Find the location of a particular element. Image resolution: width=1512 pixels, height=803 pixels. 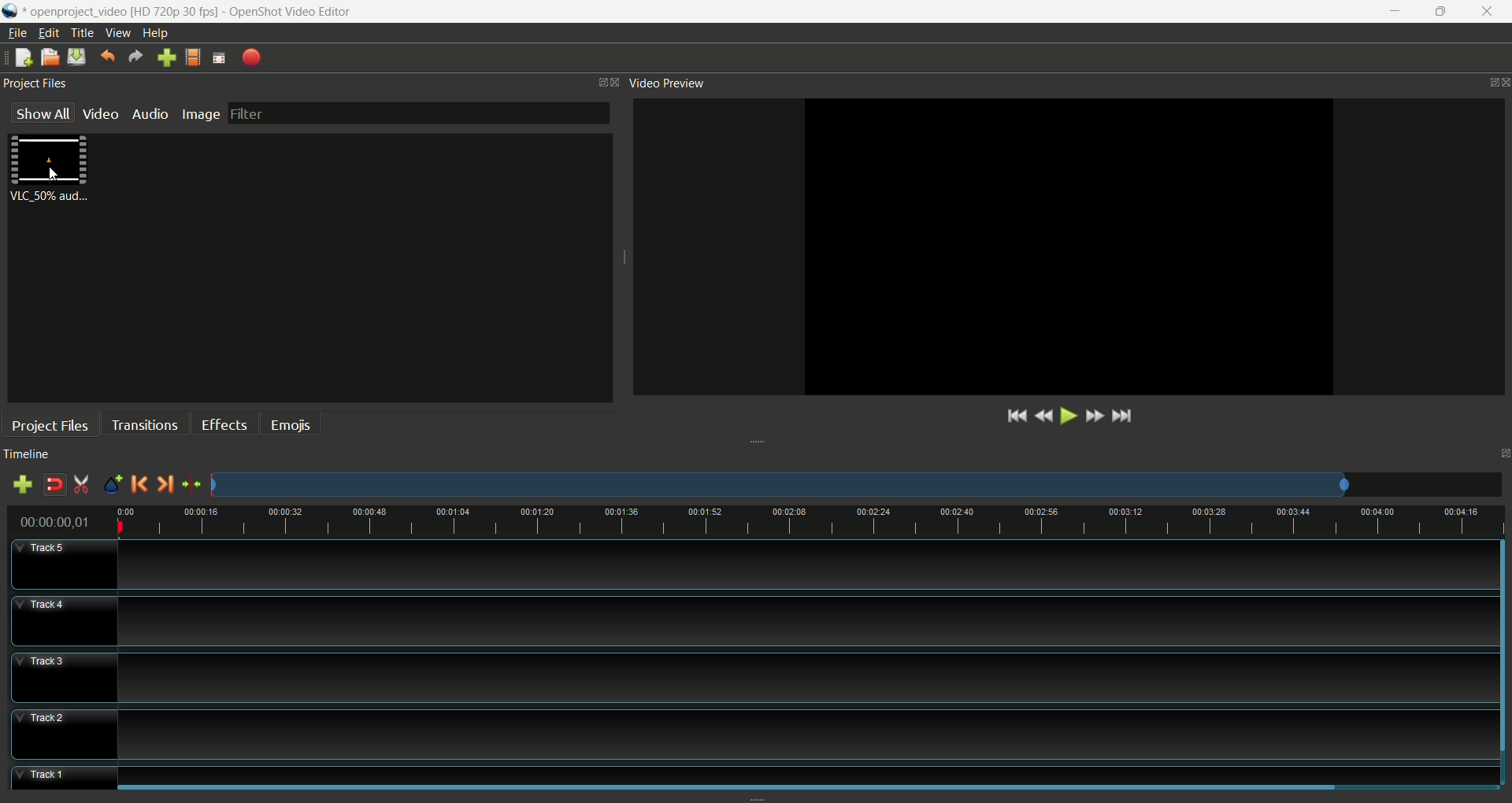

export video is located at coordinates (250, 57).